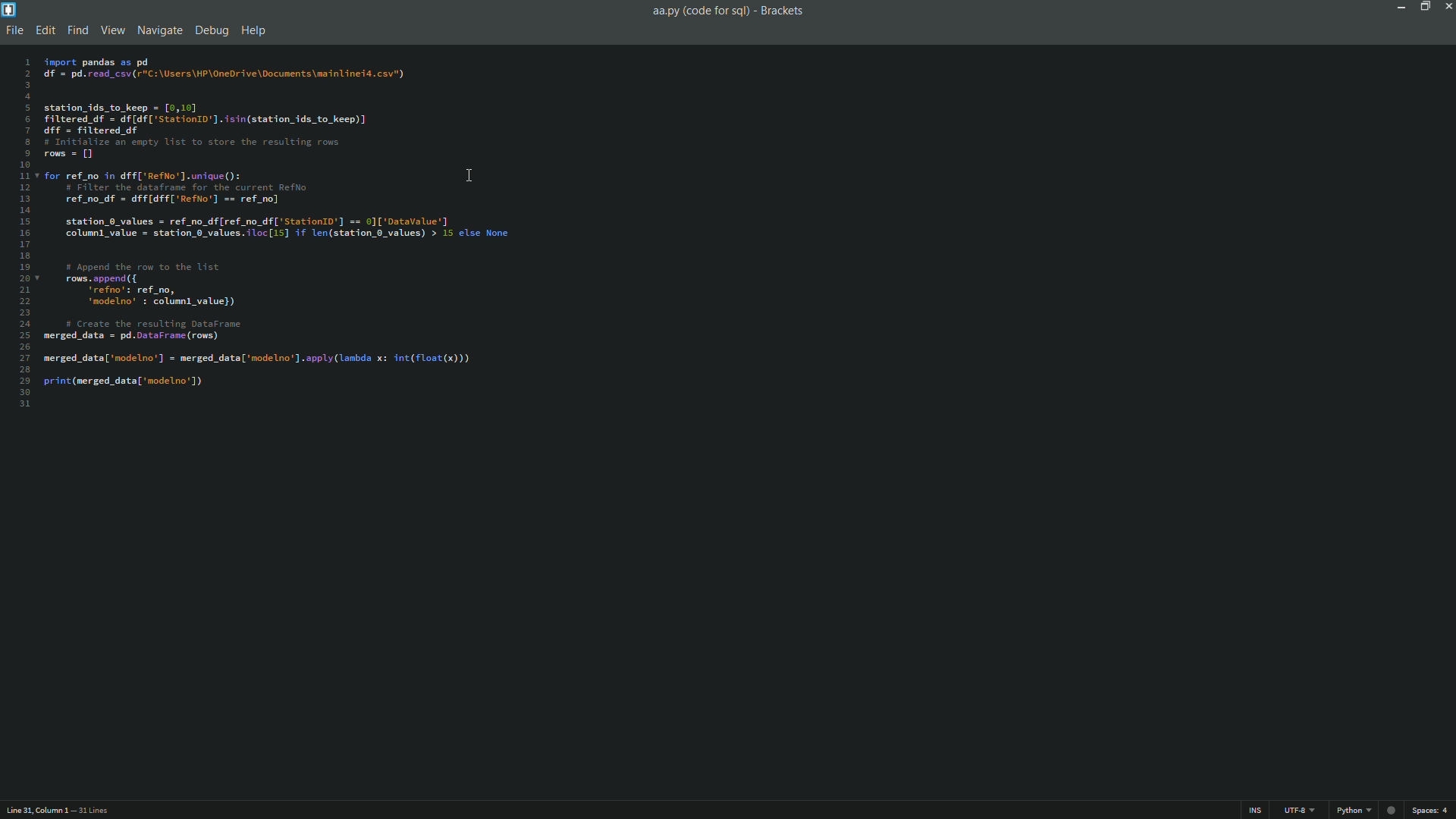 The height and width of the screenshot is (819, 1456). I want to click on file menu, so click(14, 30).